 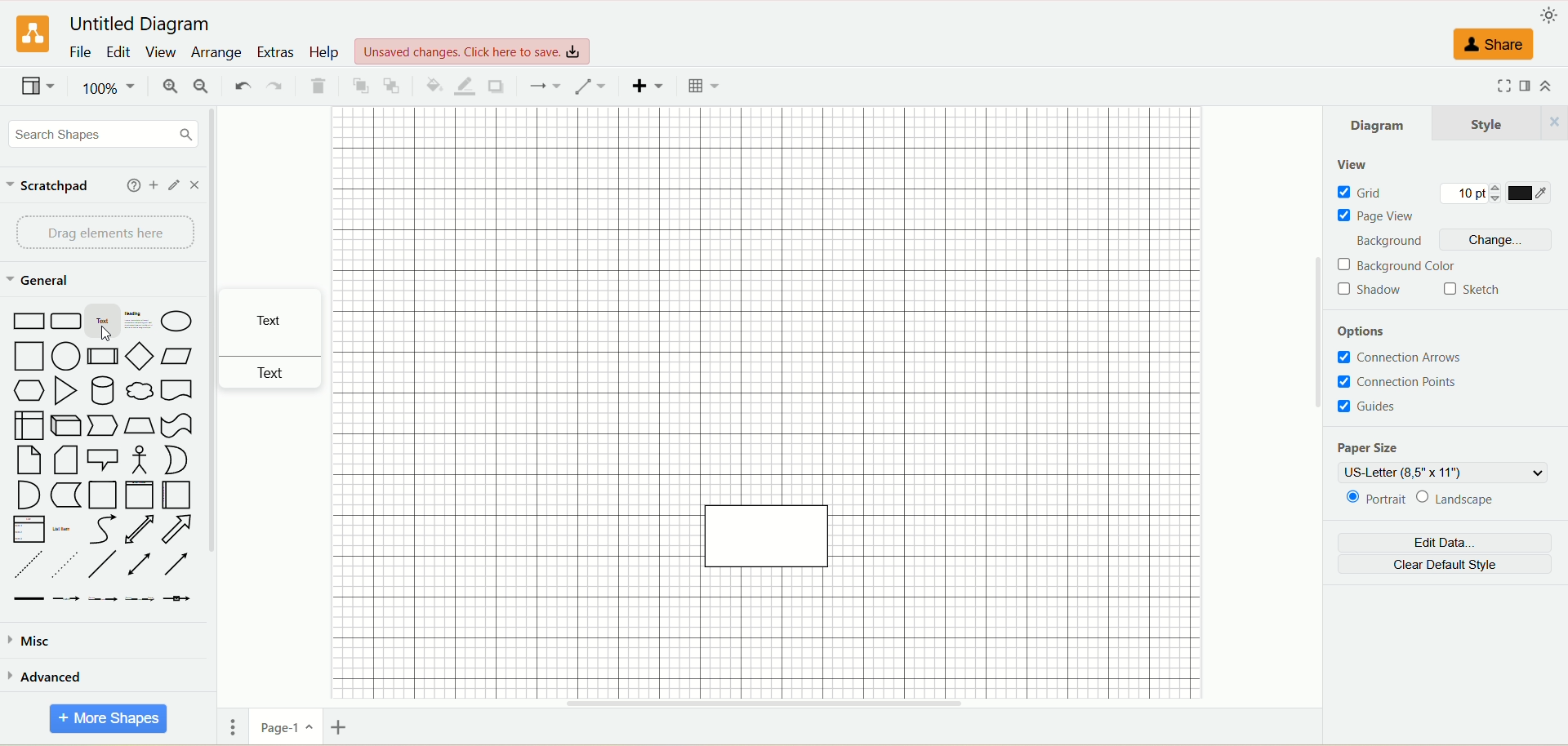 What do you see at coordinates (24, 565) in the screenshot?
I see `dashed line` at bounding box center [24, 565].